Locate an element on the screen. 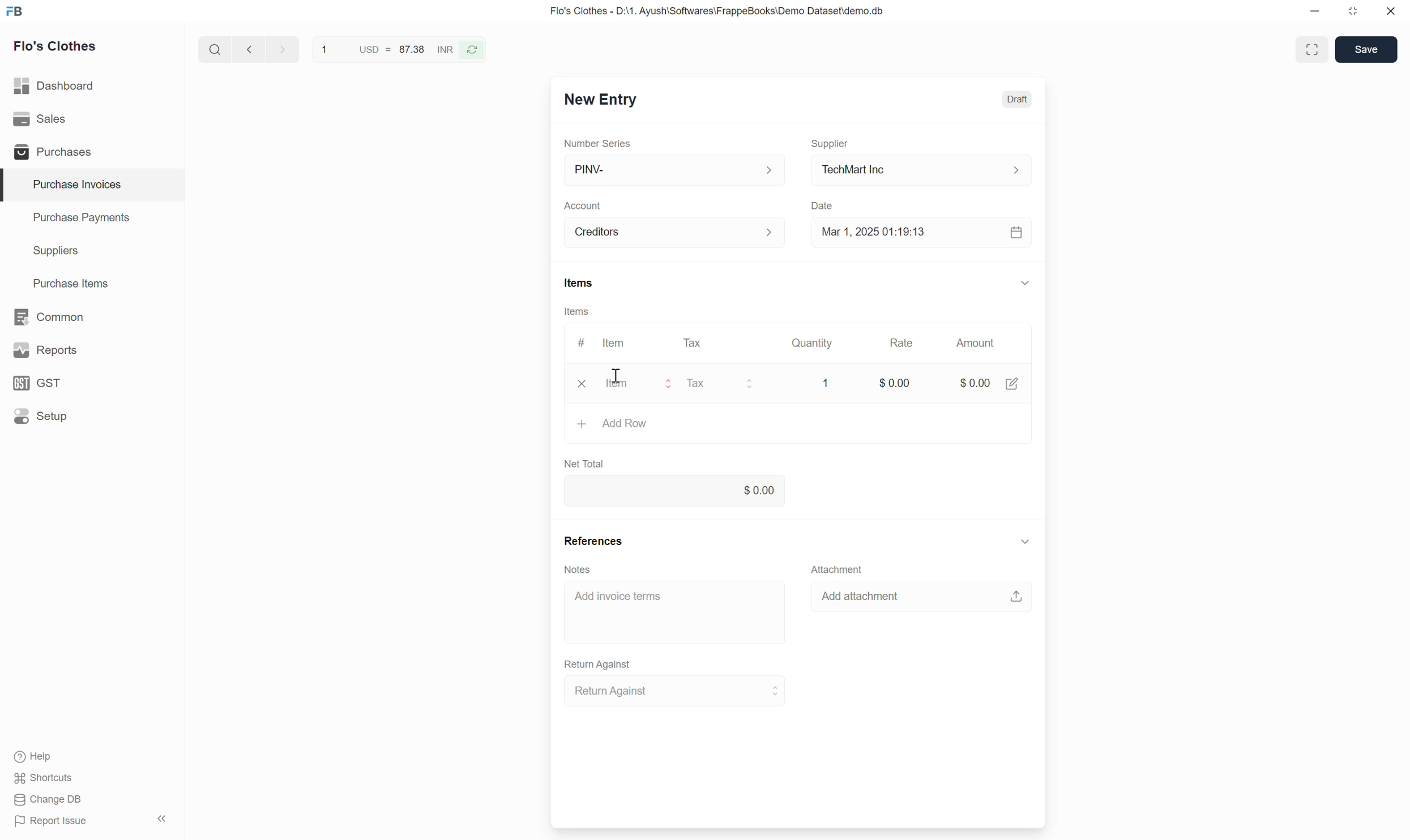 The height and width of the screenshot is (840, 1410). x is located at coordinates (582, 385).